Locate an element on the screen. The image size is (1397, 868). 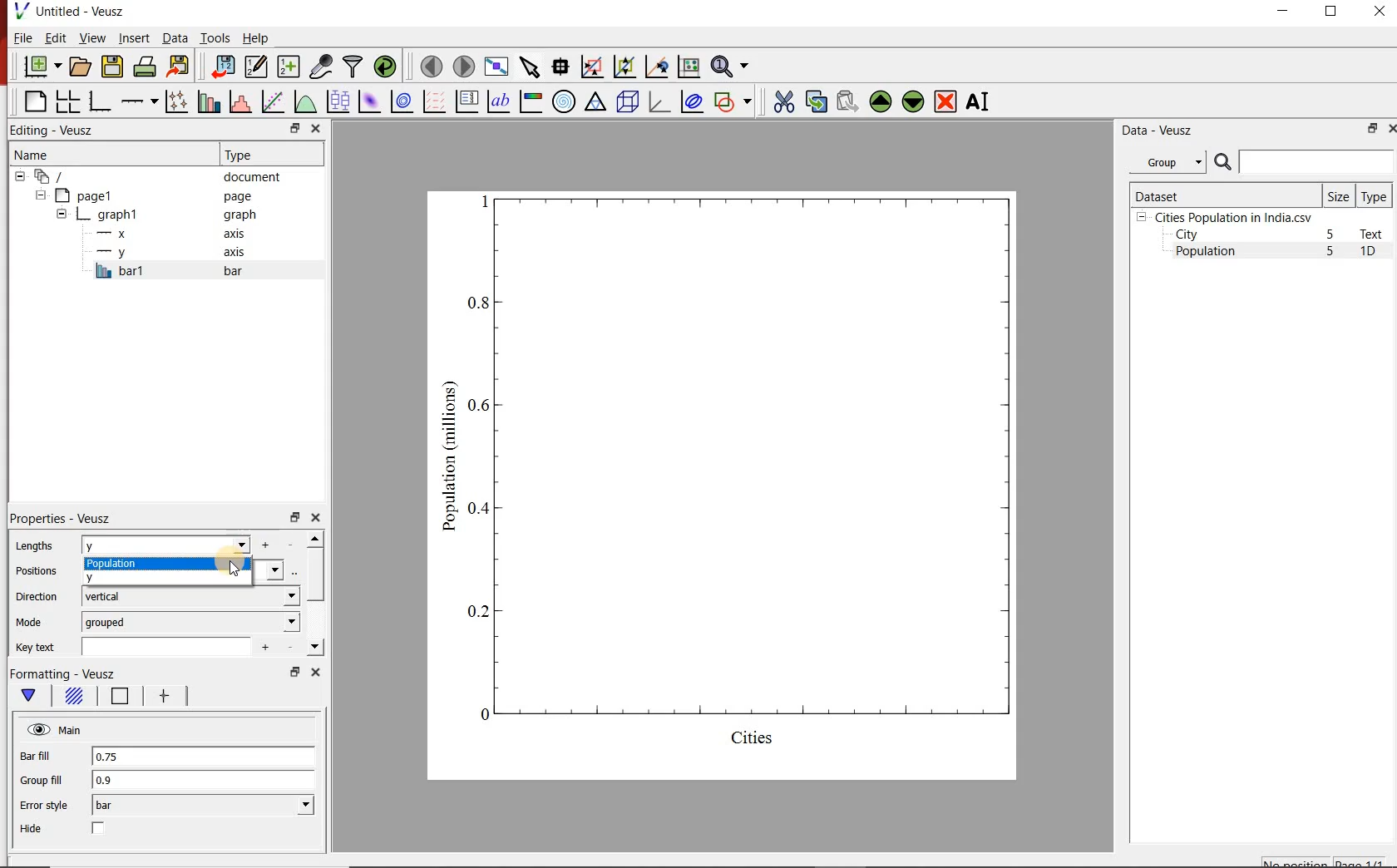
Mode is located at coordinates (32, 623).